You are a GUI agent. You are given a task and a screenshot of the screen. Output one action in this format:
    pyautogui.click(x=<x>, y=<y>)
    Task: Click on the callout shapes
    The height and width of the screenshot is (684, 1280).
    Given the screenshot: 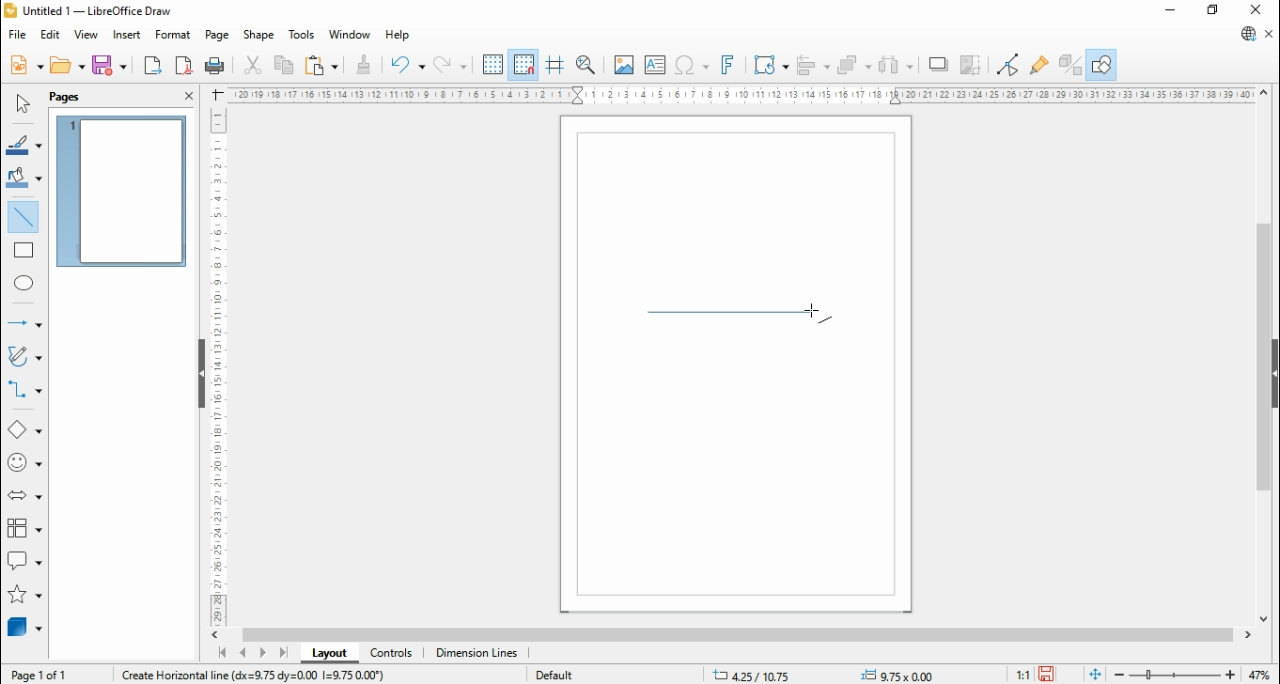 What is the action you would take?
    pyautogui.click(x=25, y=560)
    